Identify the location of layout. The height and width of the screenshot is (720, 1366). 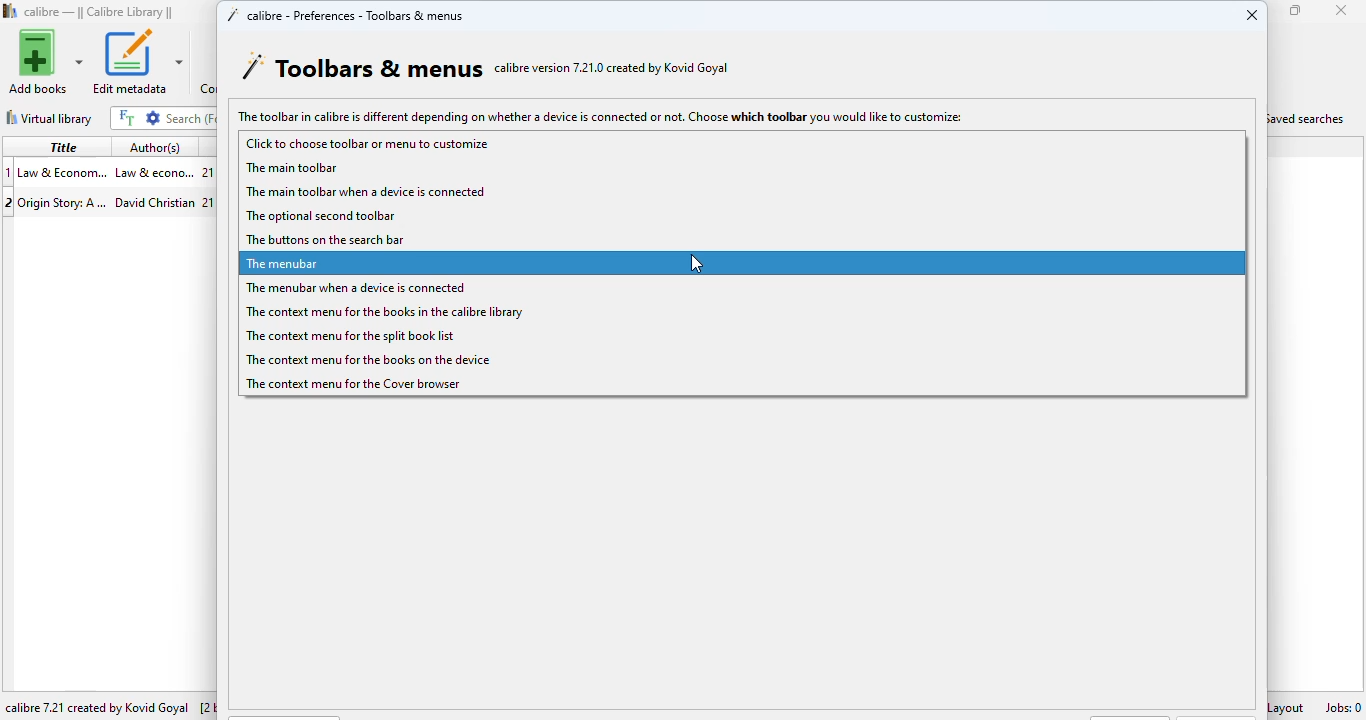
(1289, 706).